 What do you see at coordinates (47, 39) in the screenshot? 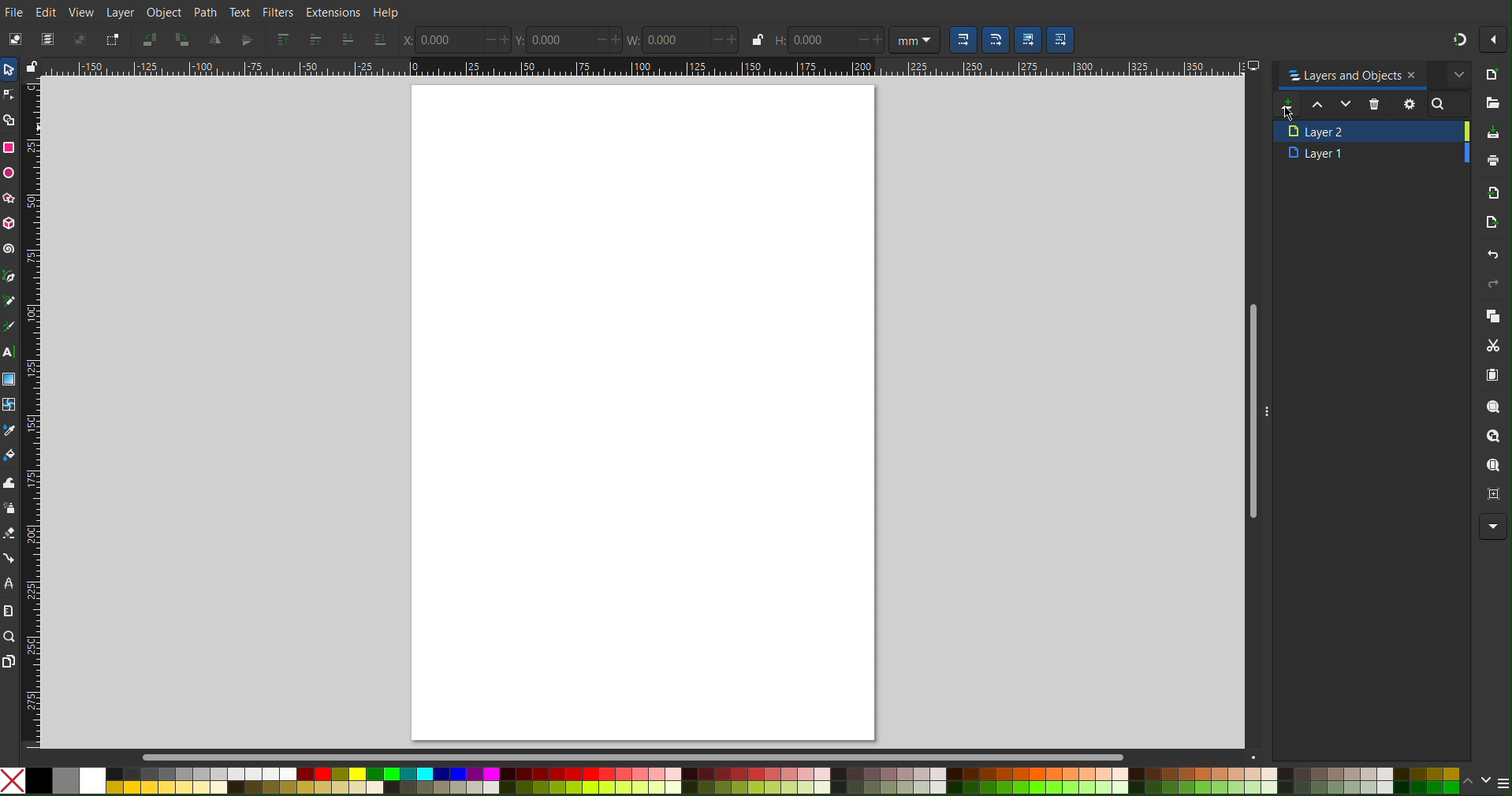
I see `Select All Objects` at bounding box center [47, 39].